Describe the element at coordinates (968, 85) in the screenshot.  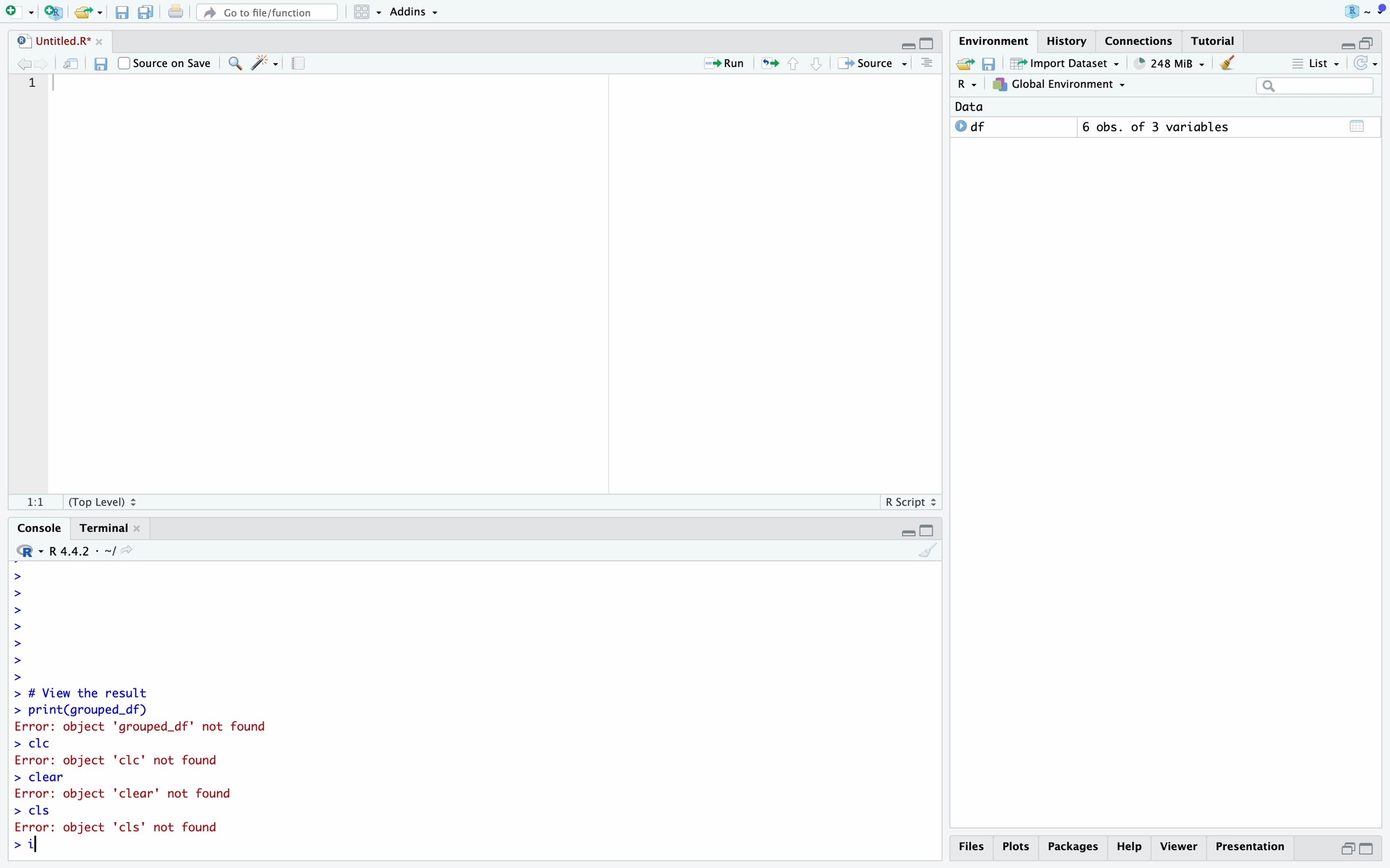
I see `R` at that location.